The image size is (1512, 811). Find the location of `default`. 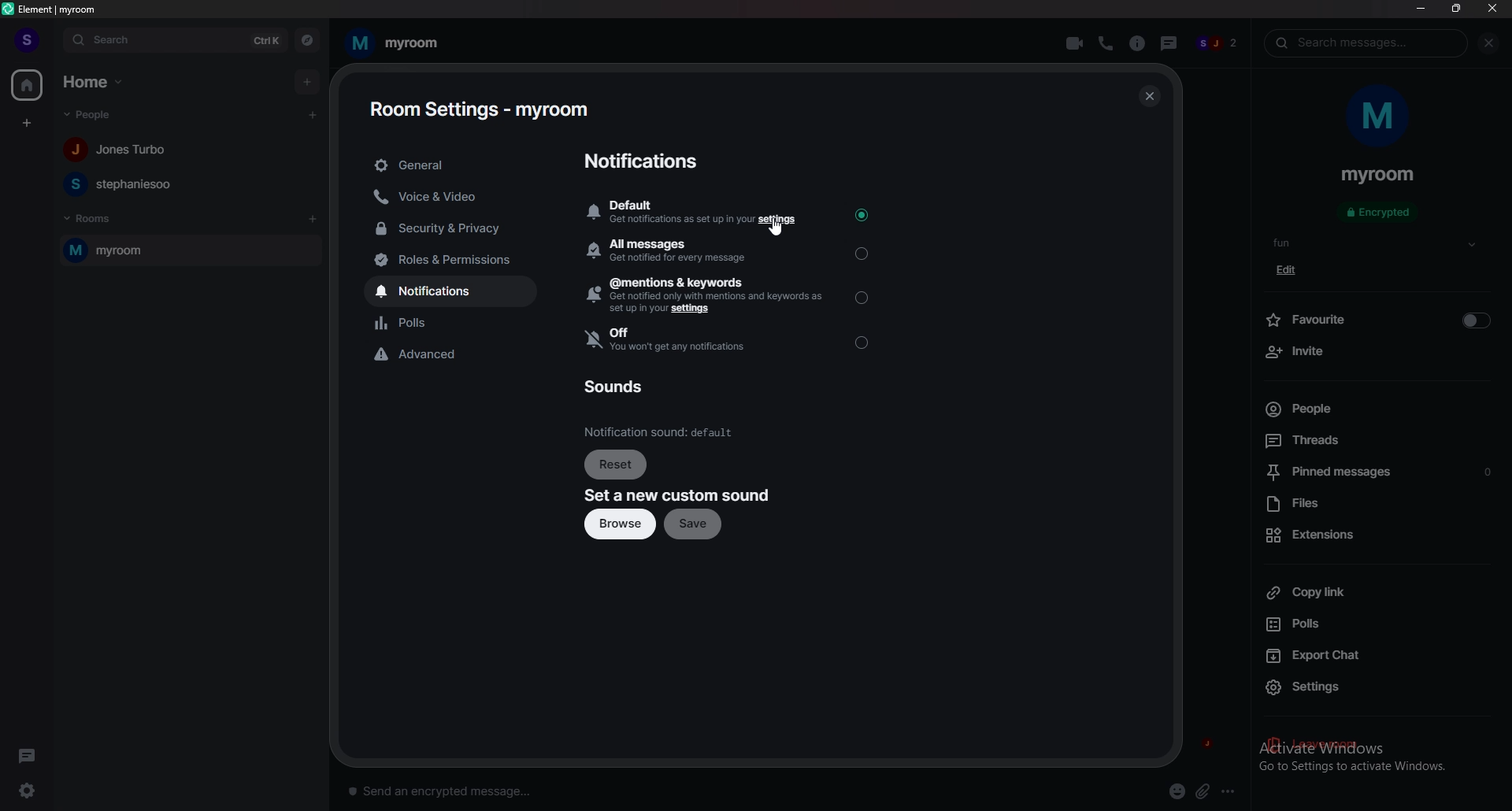

default is located at coordinates (730, 211).